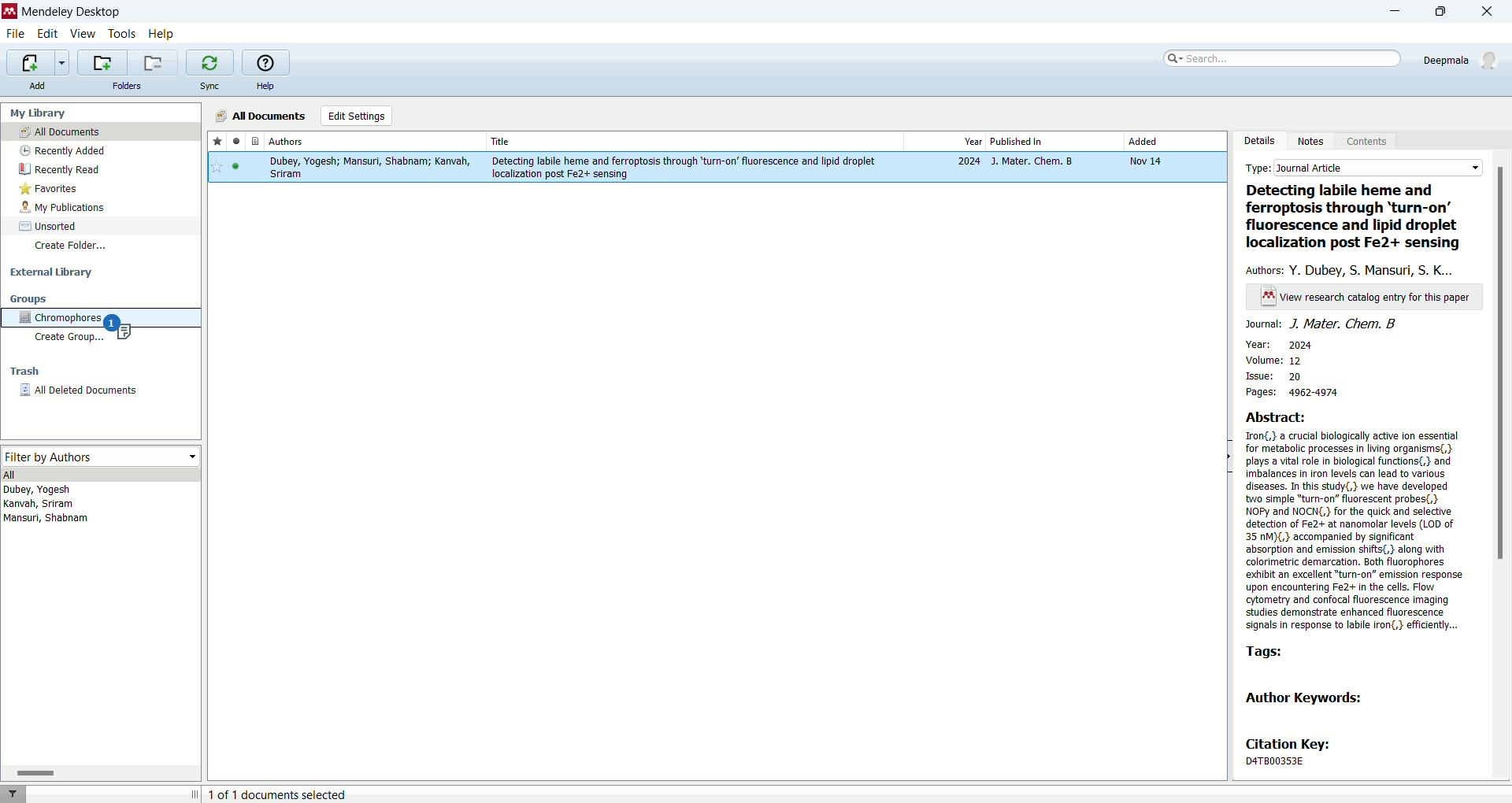 The width and height of the screenshot is (1512, 803). I want to click on horizontal scroll bar, so click(100, 773).